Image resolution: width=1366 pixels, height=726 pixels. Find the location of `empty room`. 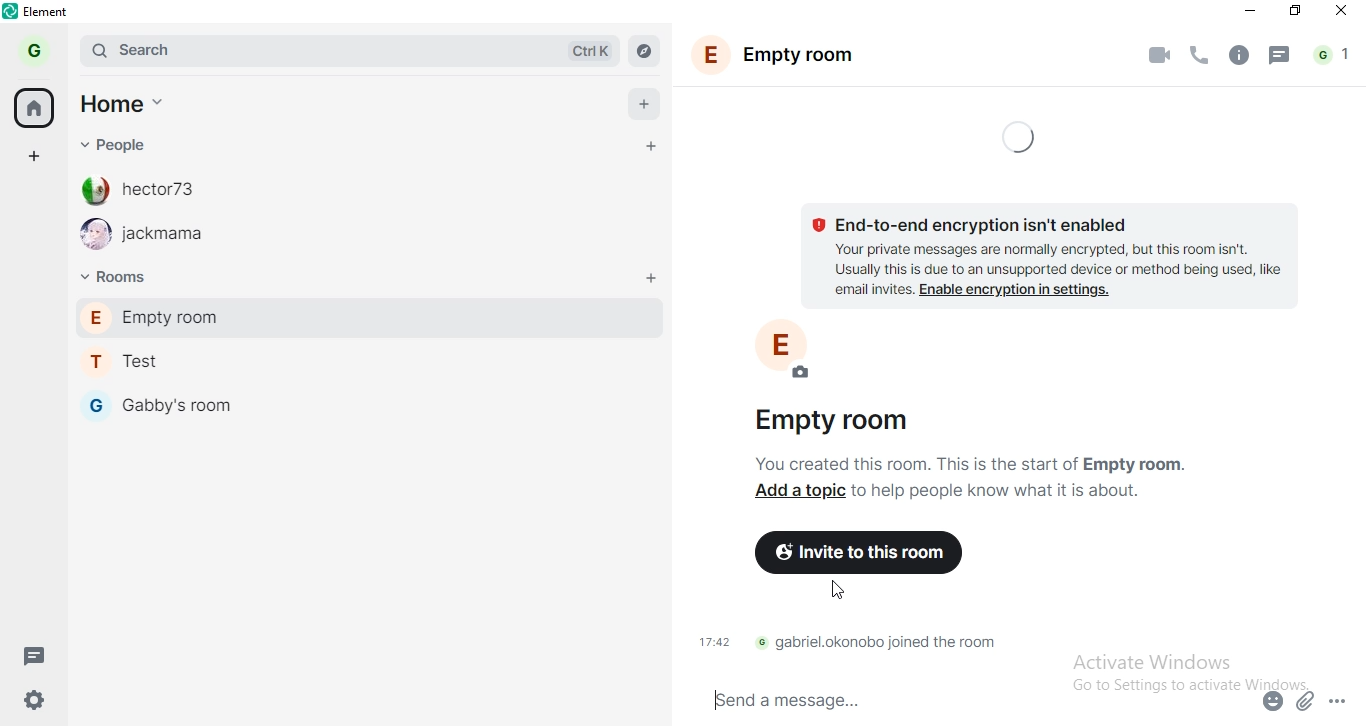

empty room is located at coordinates (357, 318).